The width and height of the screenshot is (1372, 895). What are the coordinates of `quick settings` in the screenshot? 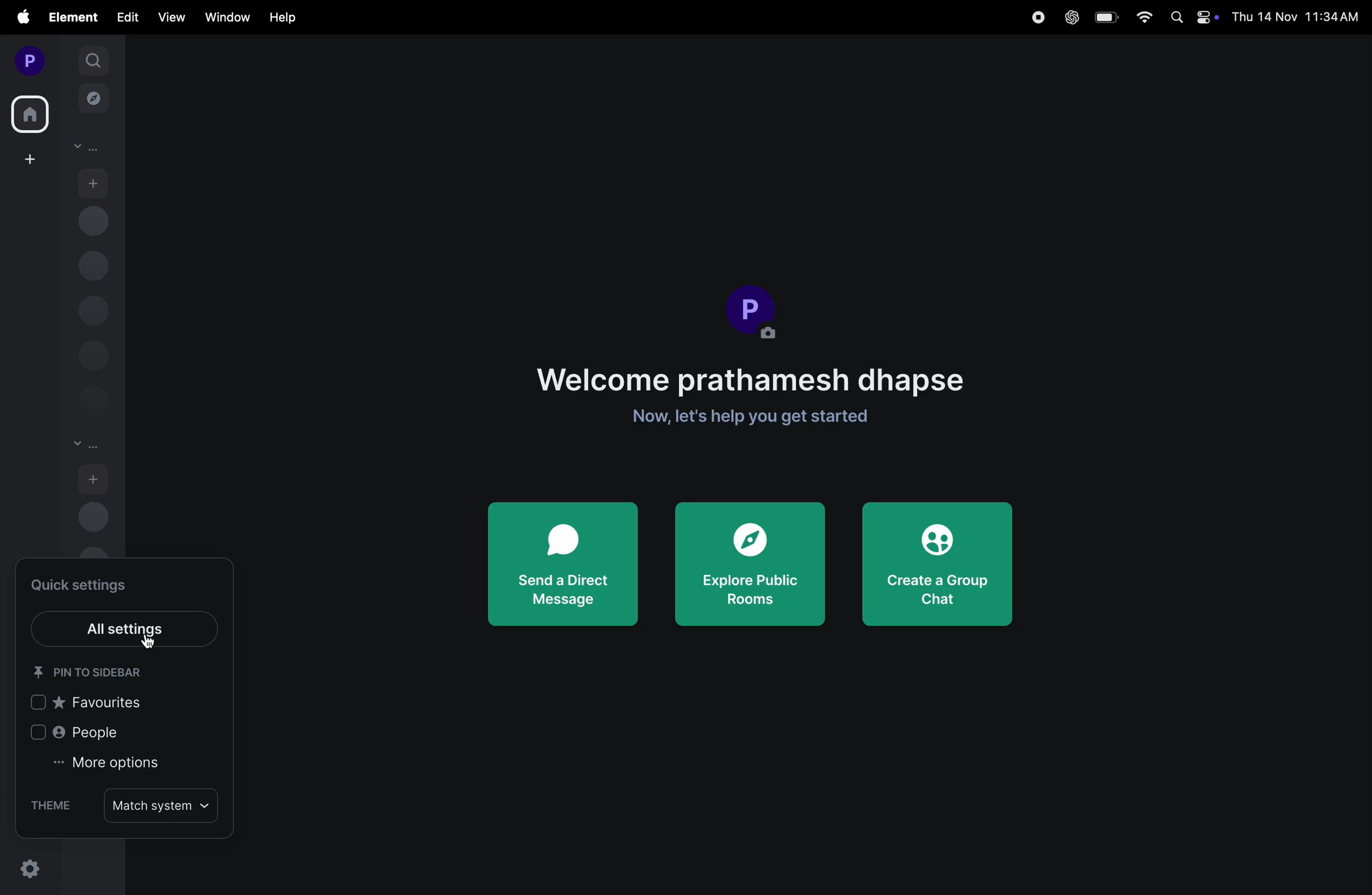 It's located at (89, 584).